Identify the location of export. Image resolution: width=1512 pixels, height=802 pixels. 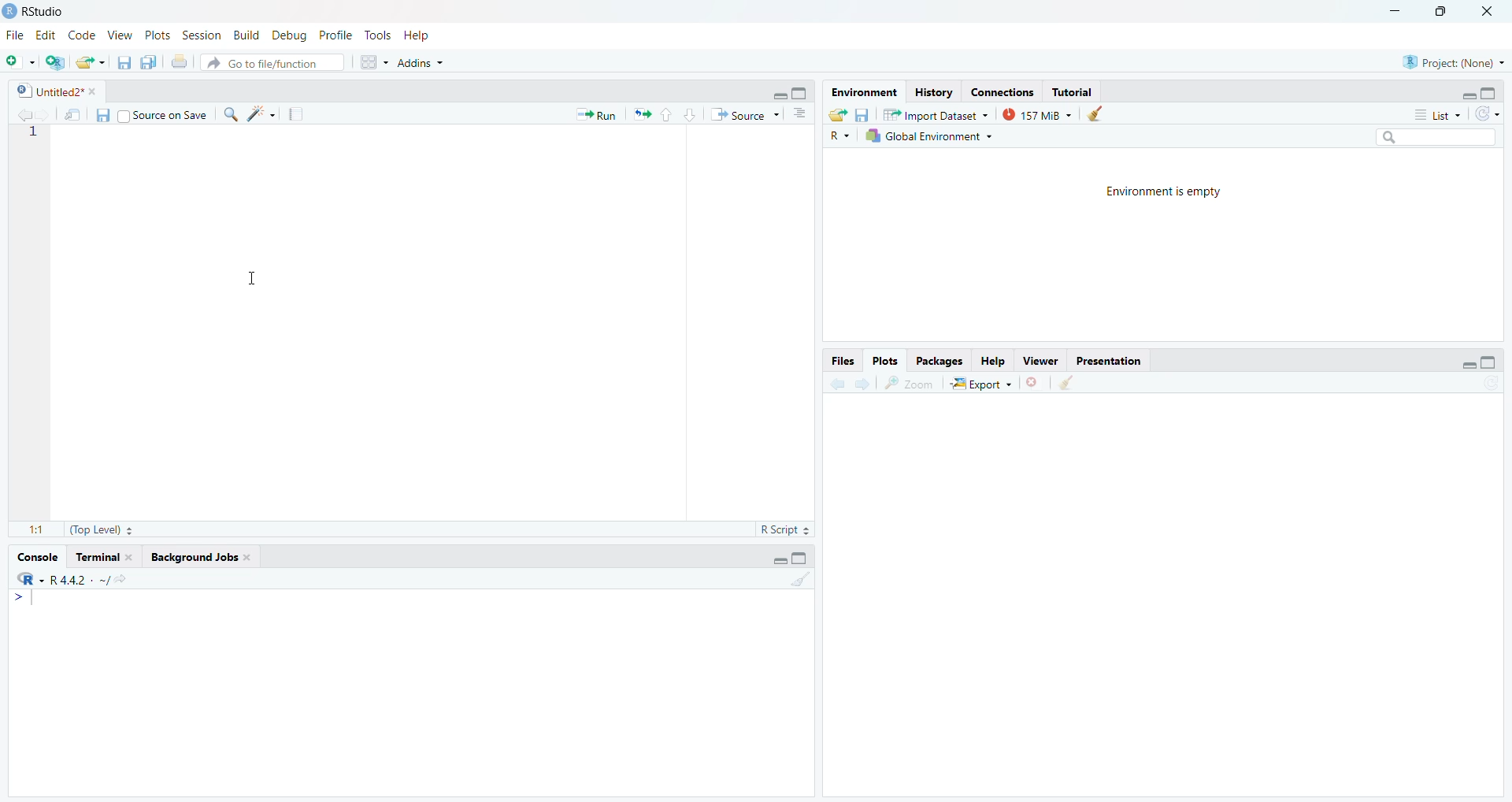
(980, 384).